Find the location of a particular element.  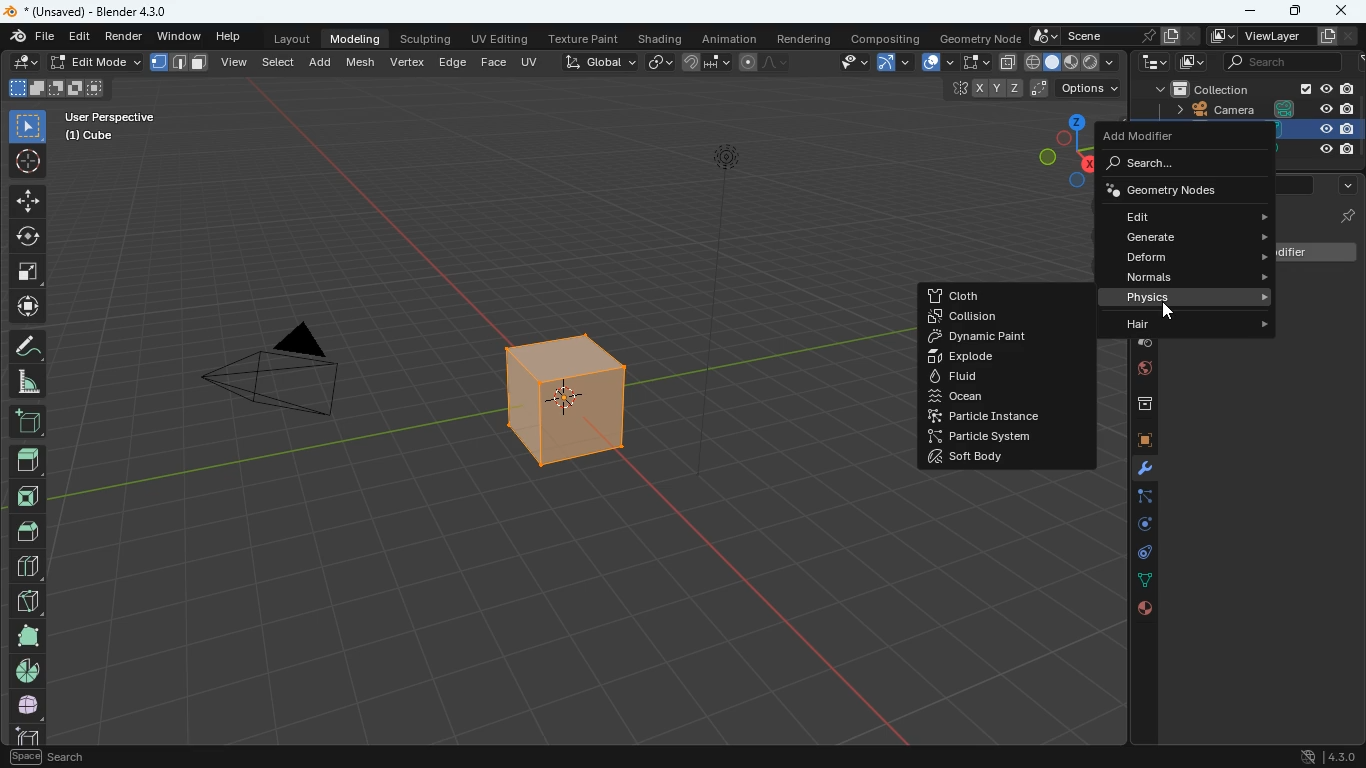

edit is located at coordinates (23, 61).